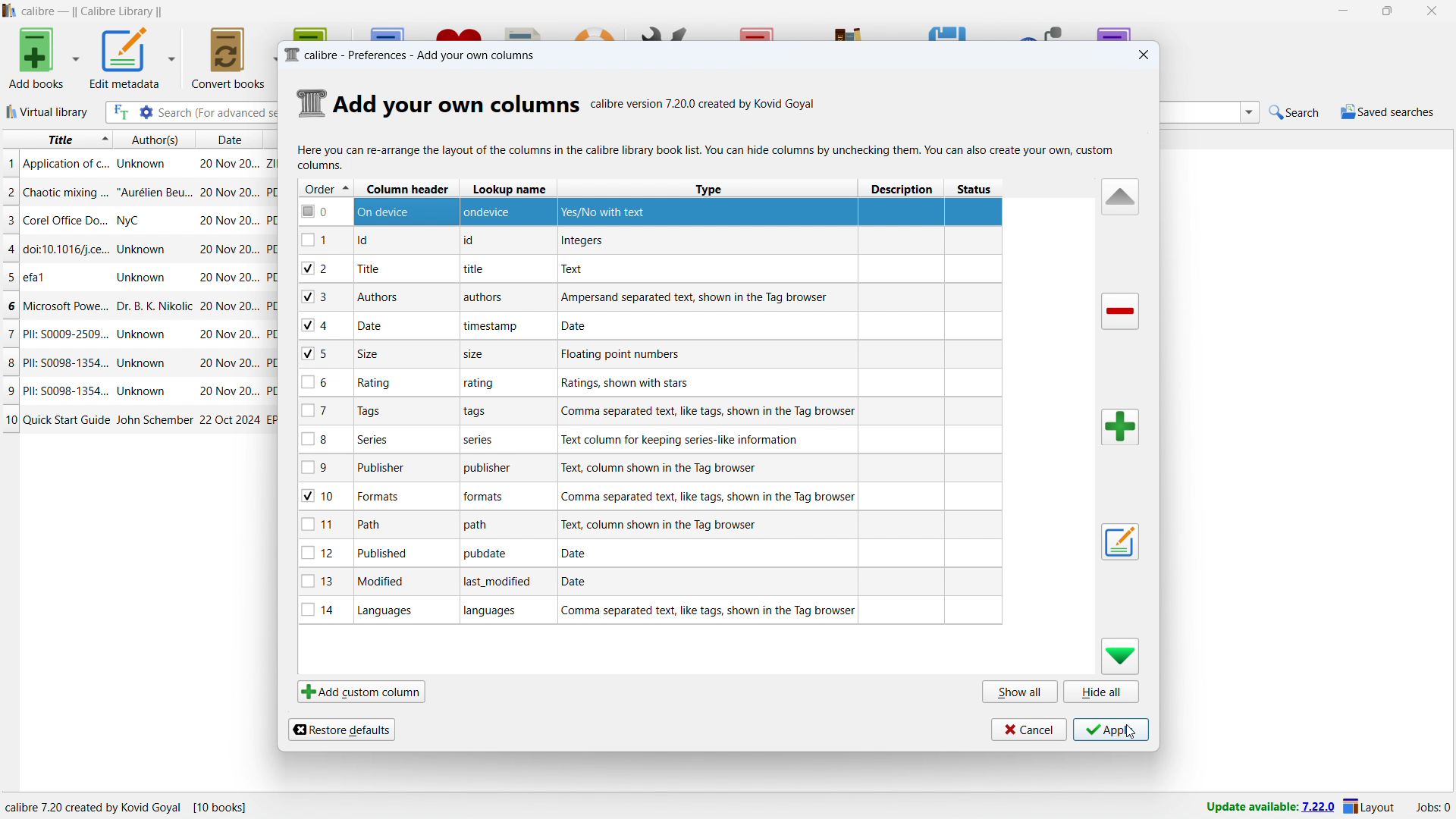 The image size is (1456, 819). I want to click on logo, so click(290, 55).